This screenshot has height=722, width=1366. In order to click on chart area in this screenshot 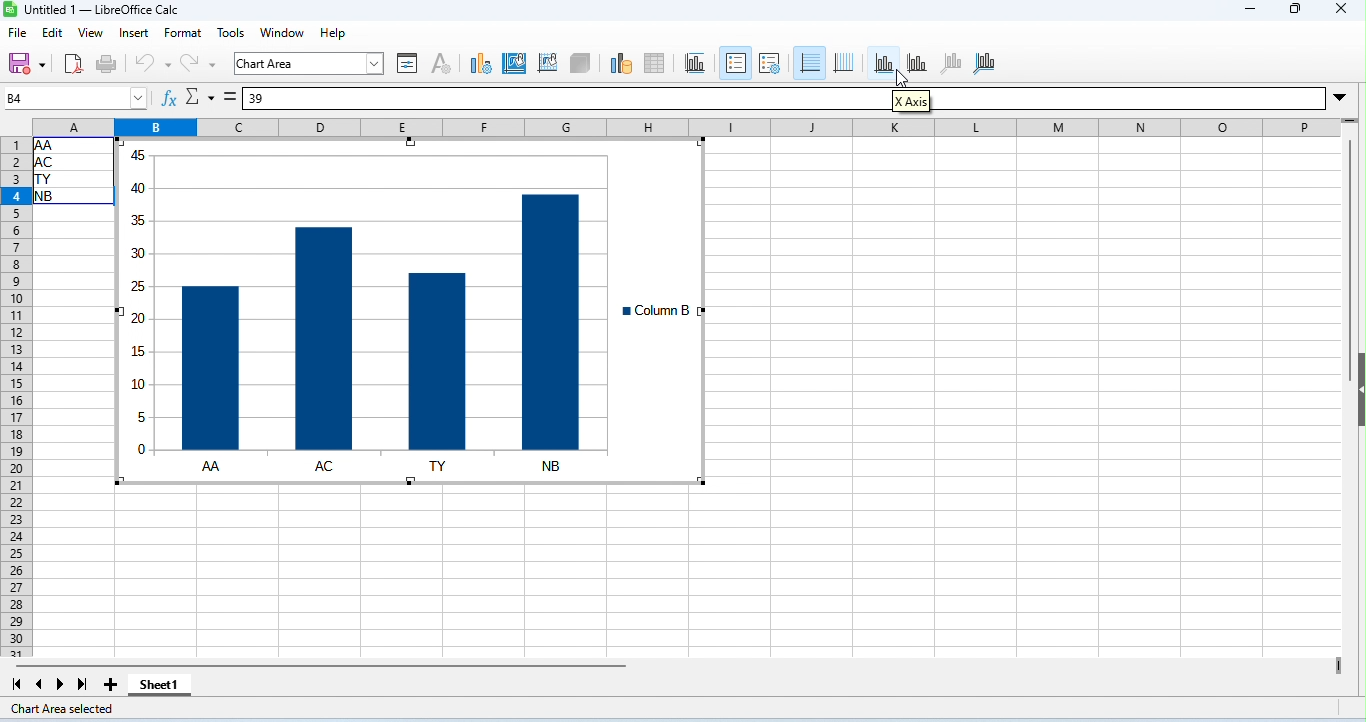, I will do `click(517, 63)`.